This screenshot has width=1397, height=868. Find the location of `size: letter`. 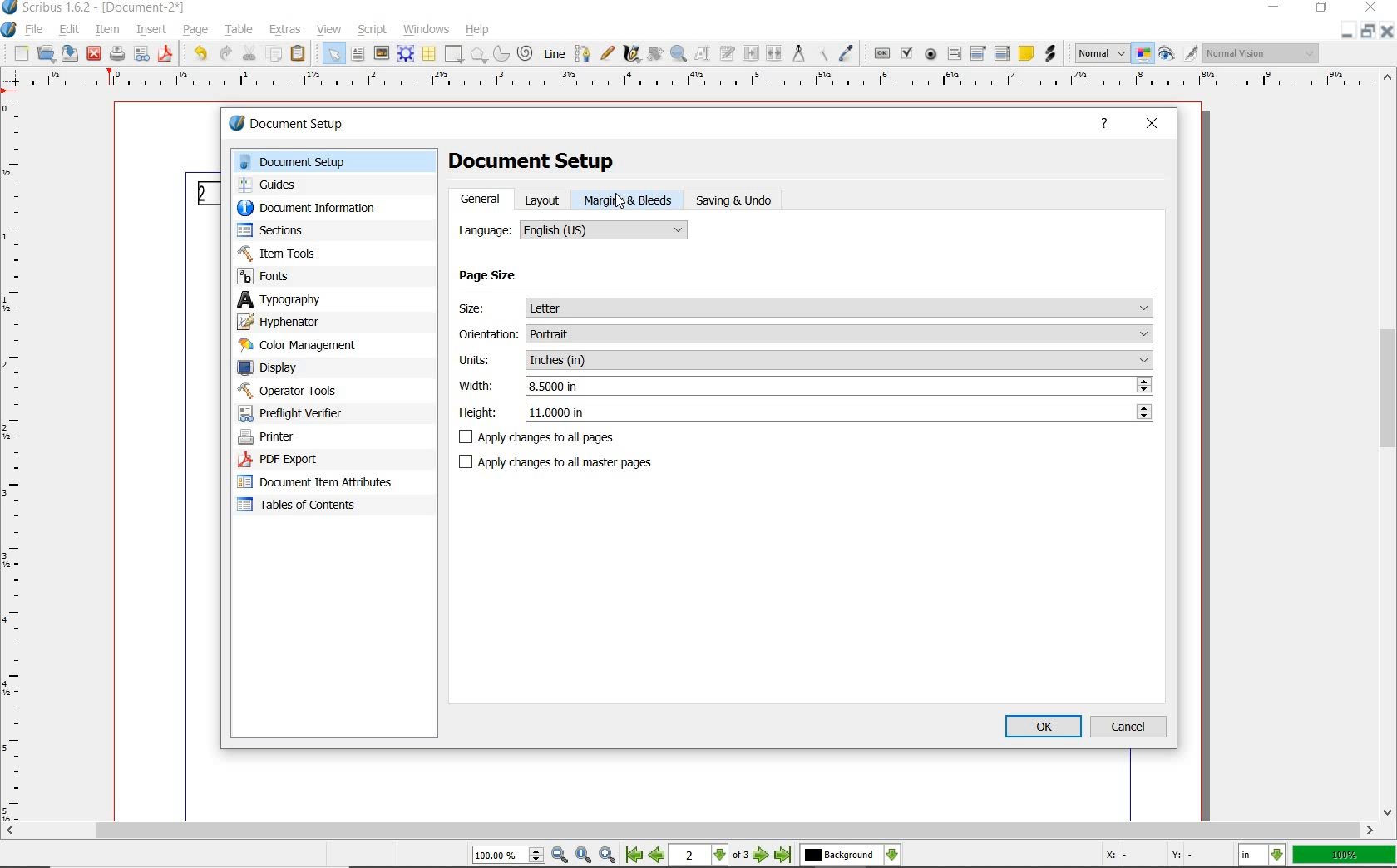

size: letter is located at coordinates (807, 306).